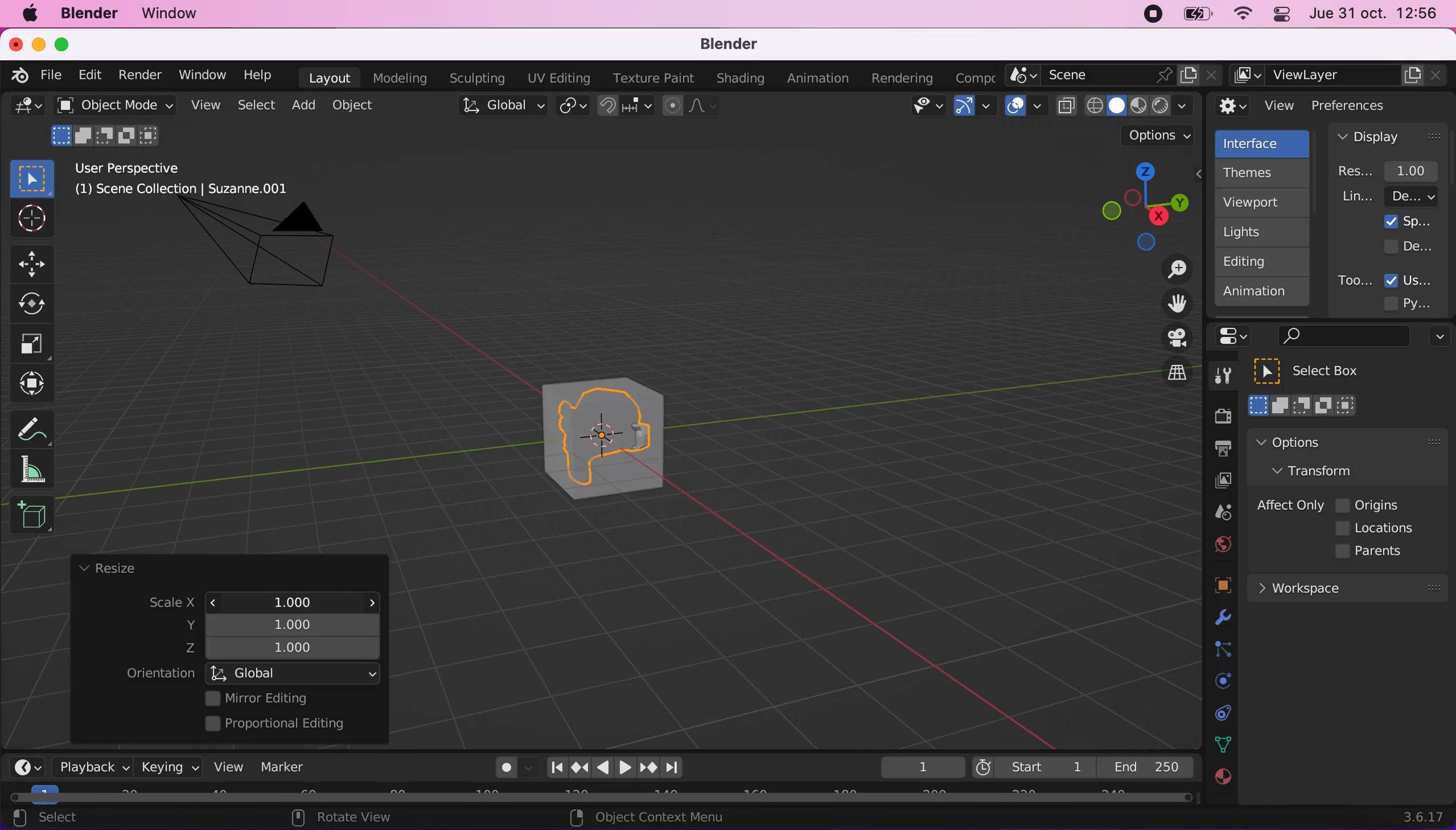 This screenshot has width=1456, height=830. I want to click on object, so click(356, 105).